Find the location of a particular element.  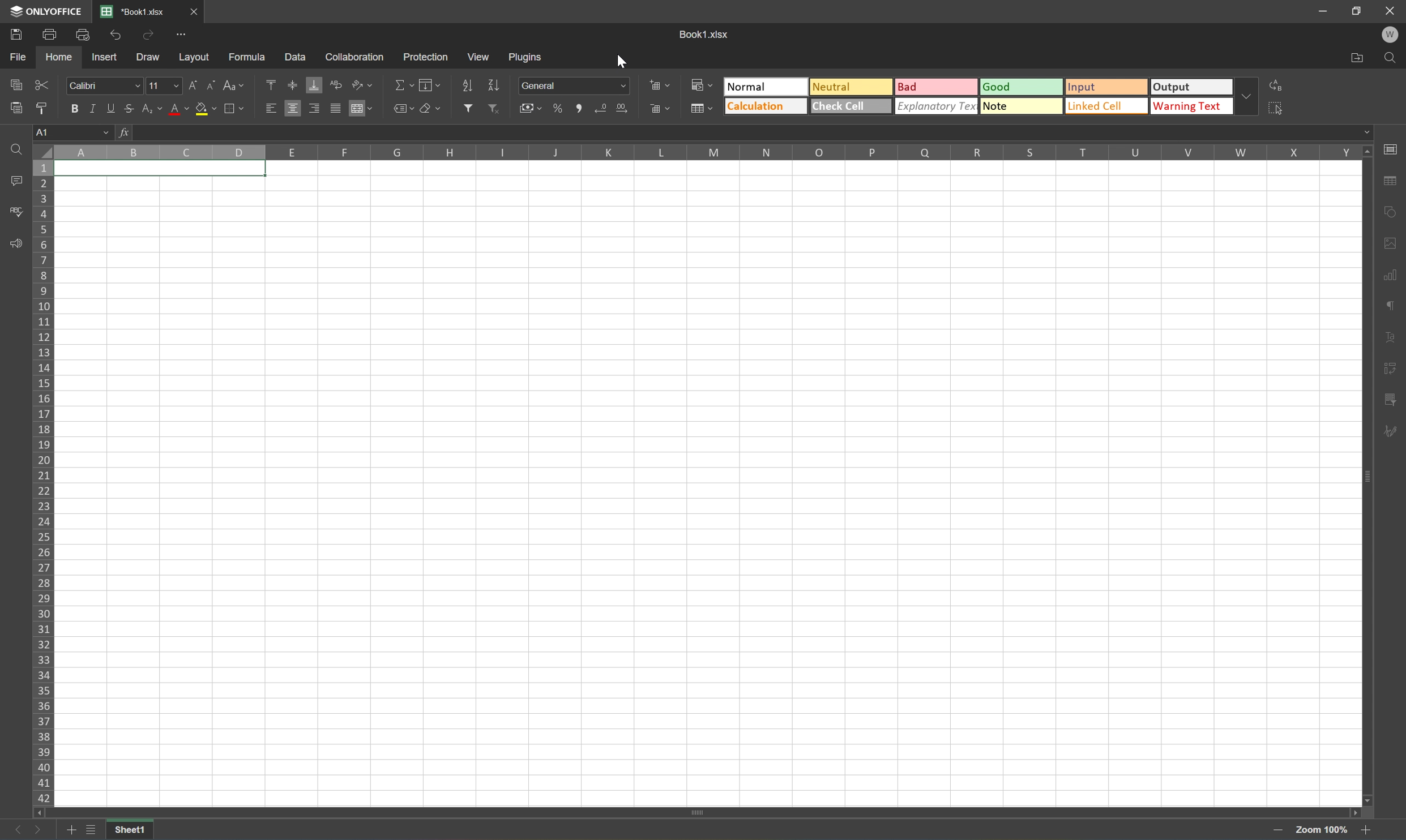

Customize Quick Access Toolbar is located at coordinates (183, 38).